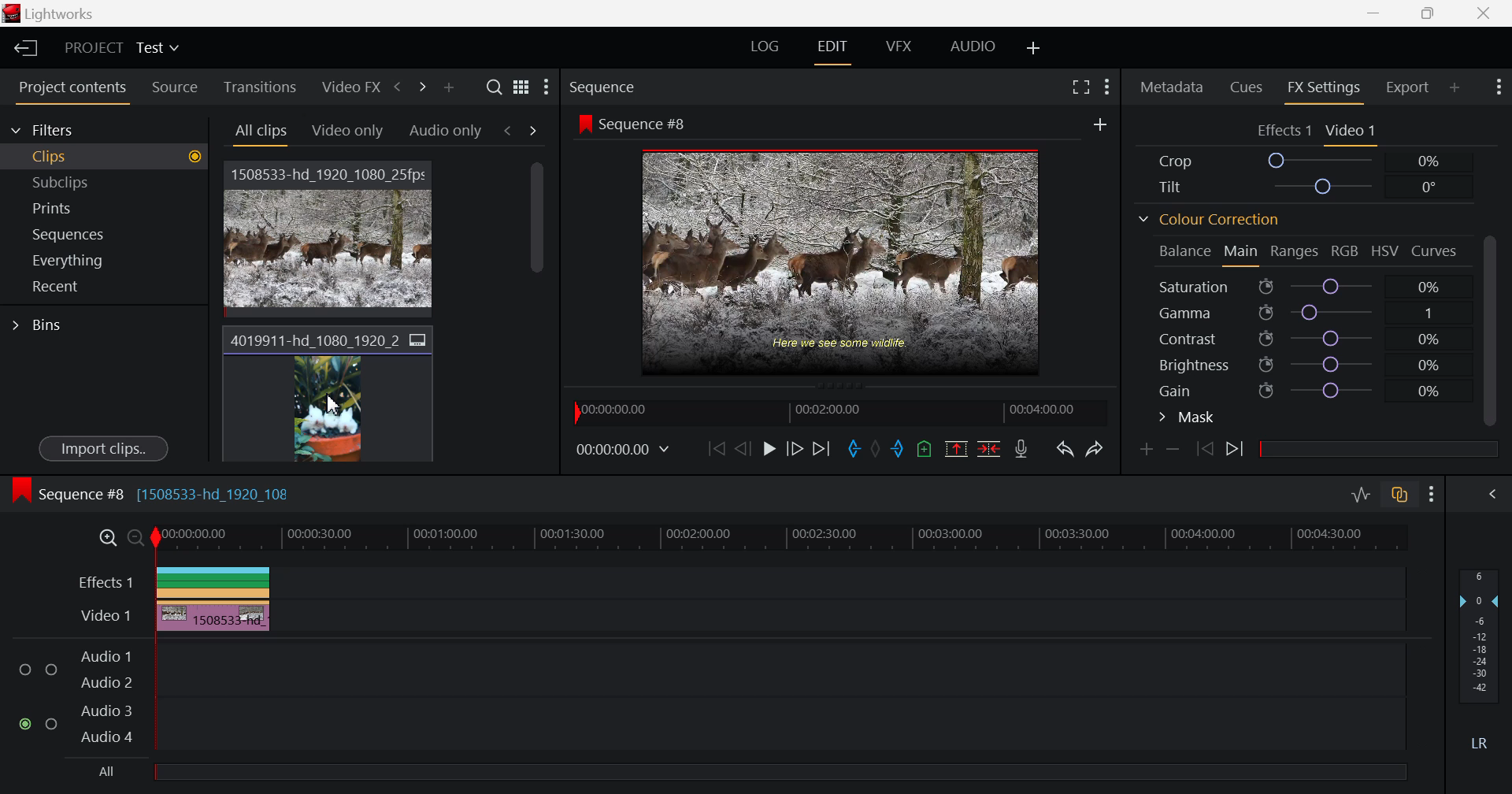 This screenshot has height=794, width=1512. Describe the element at coordinates (397, 87) in the screenshot. I see `Previous Panel` at that location.